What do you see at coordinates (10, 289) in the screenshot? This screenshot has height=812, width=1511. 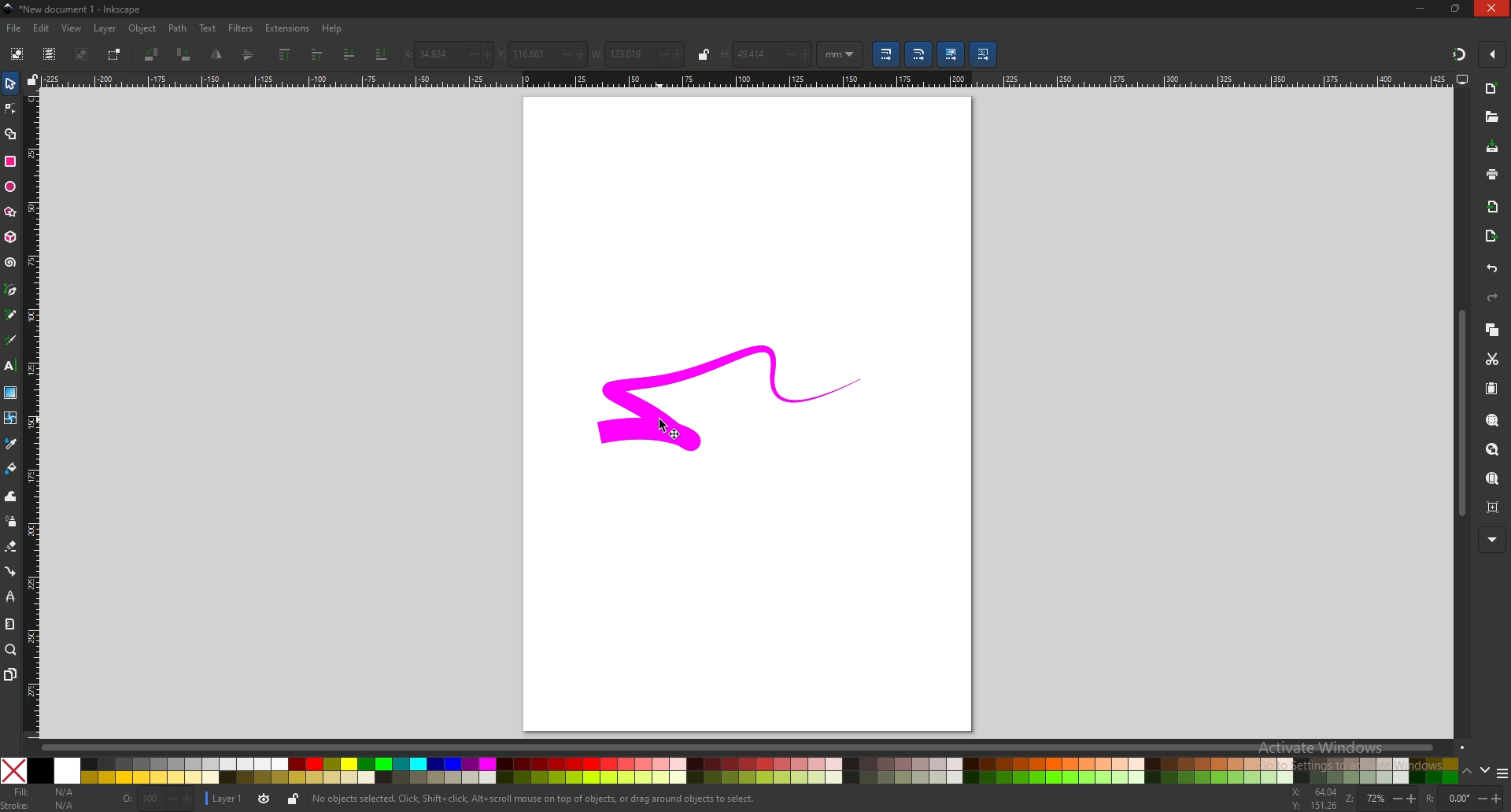 I see `pen` at bounding box center [10, 289].